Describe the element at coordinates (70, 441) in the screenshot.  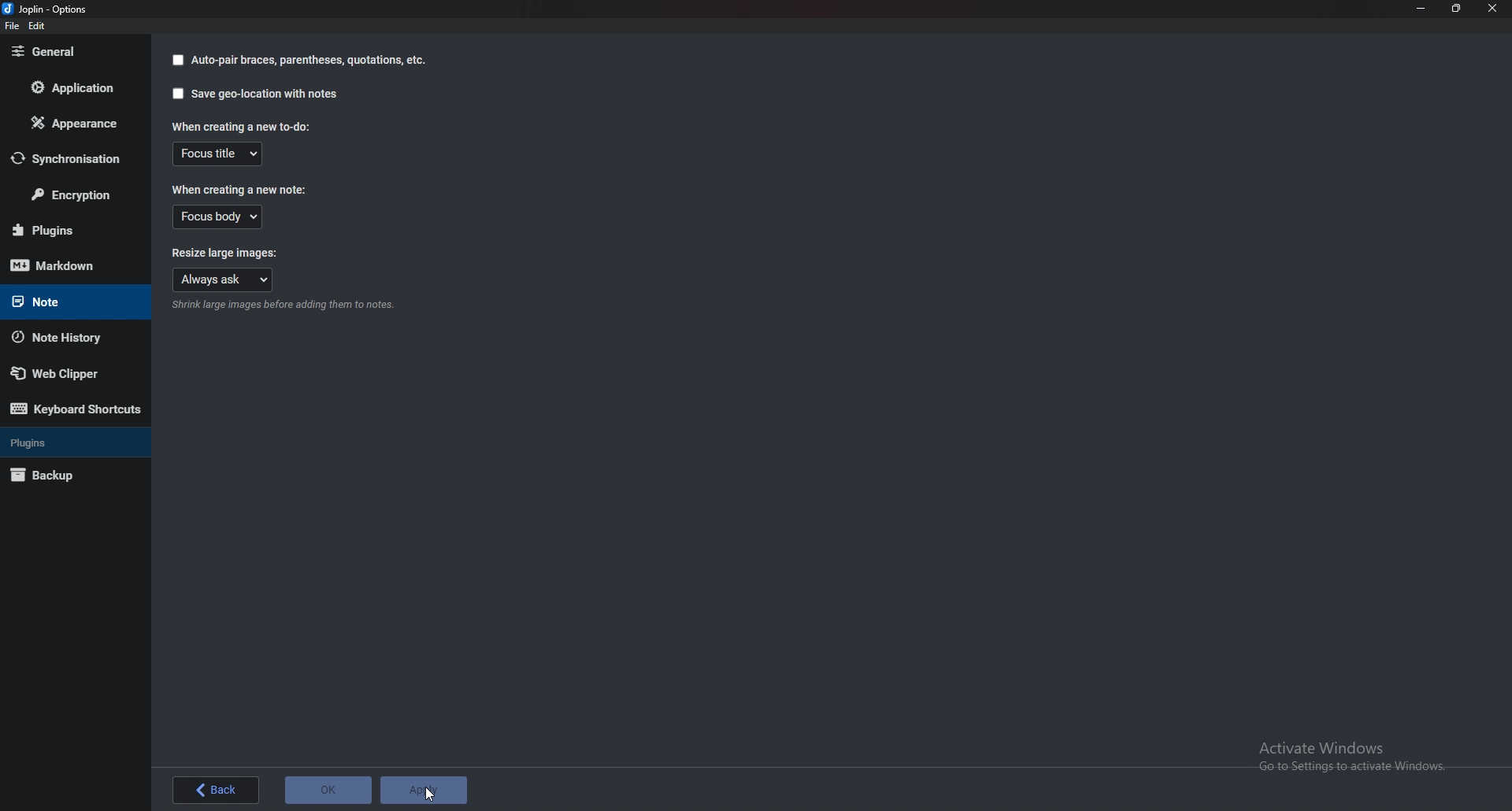
I see `Plugins` at that location.